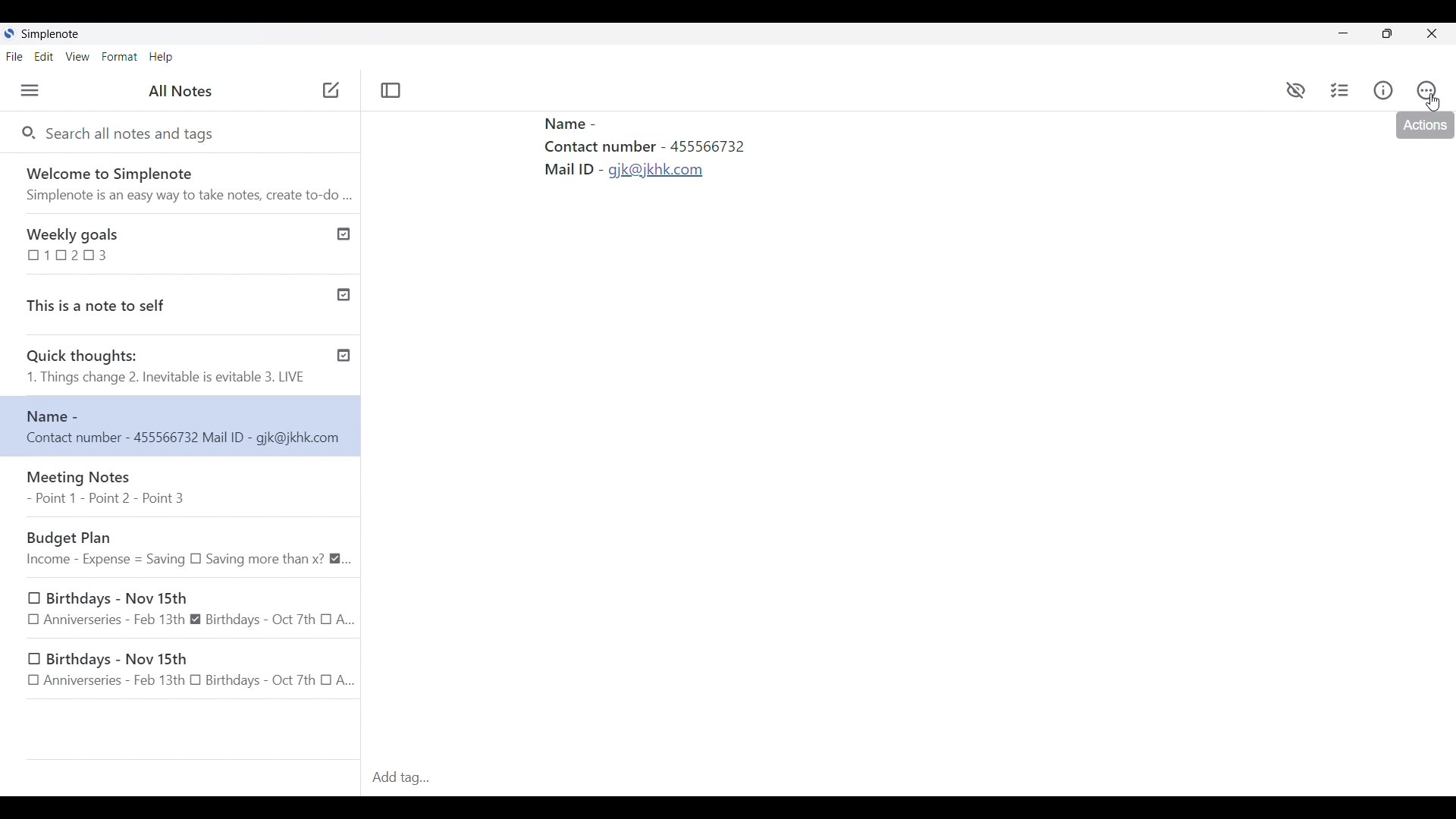 The width and height of the screenshot is (1456, 819). Describe the element at coordinates (180, 90) in the screenshot. I see `Title of left panel` at that location.